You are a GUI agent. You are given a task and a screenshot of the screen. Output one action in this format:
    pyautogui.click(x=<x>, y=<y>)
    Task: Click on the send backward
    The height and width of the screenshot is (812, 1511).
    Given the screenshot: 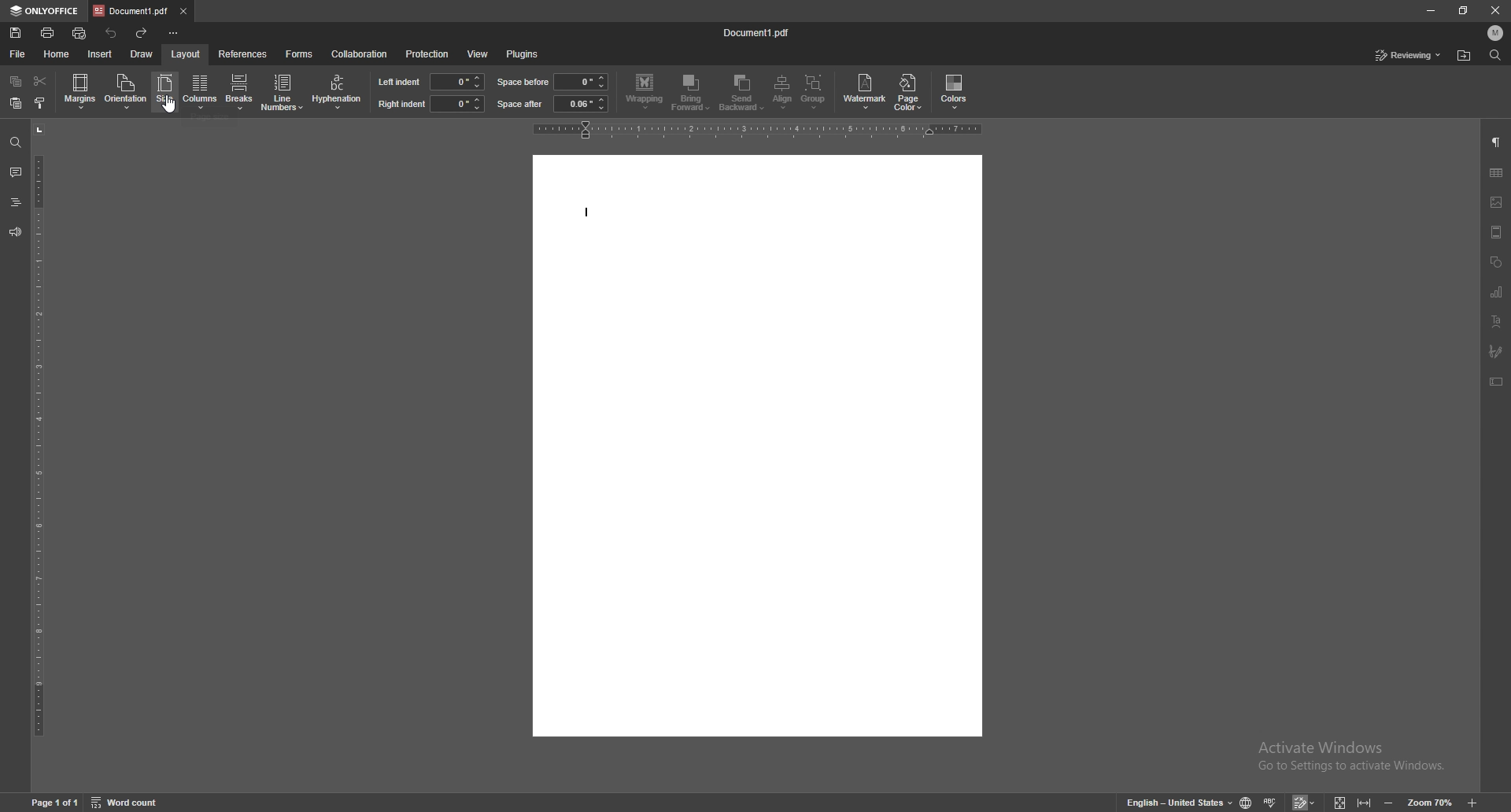 What is the action you would take?
    pyautogui.click(x=744, y=94)
    